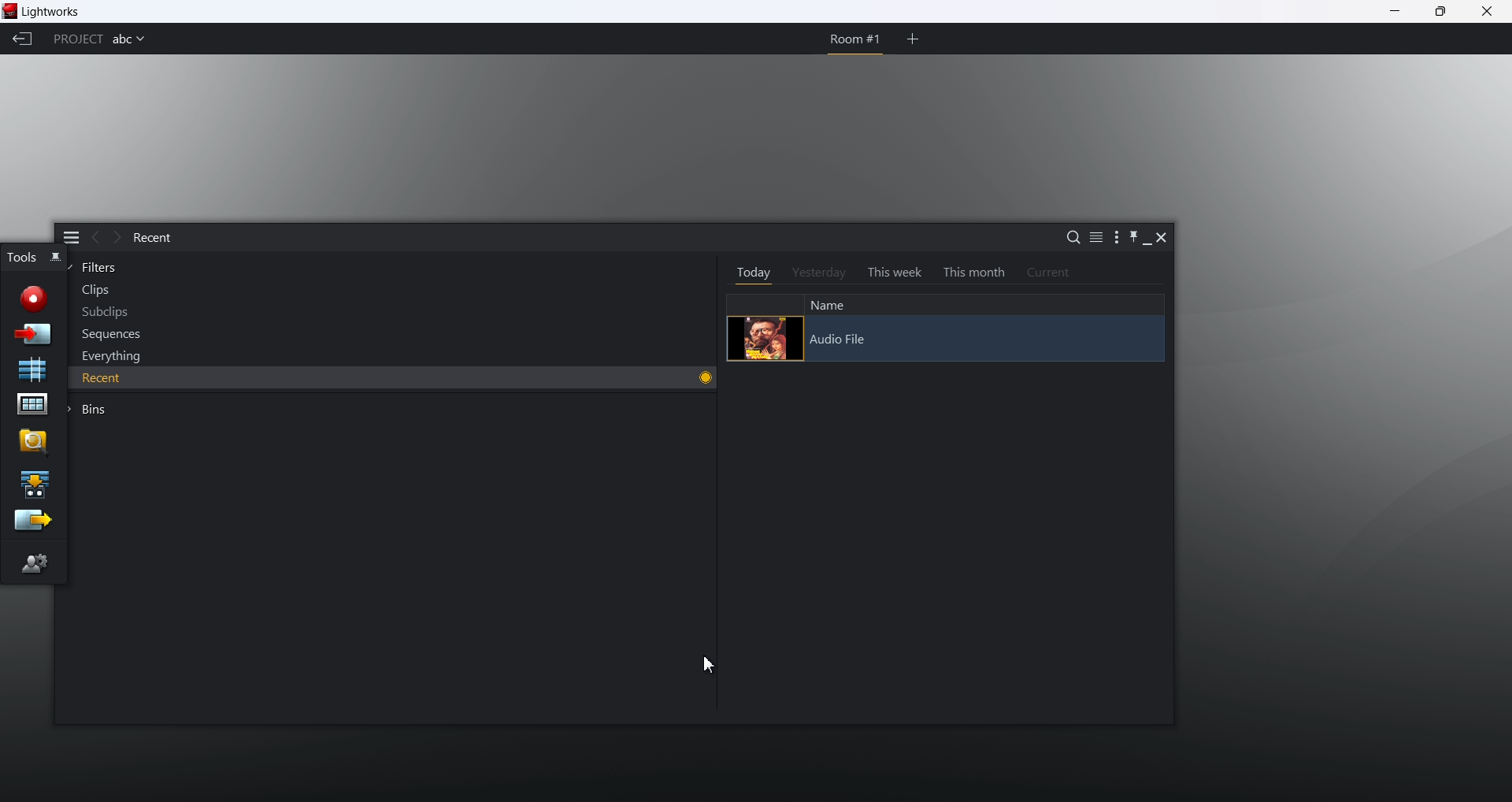 The image size is (1512, 802). I want to click on search, so click(1069, 239).